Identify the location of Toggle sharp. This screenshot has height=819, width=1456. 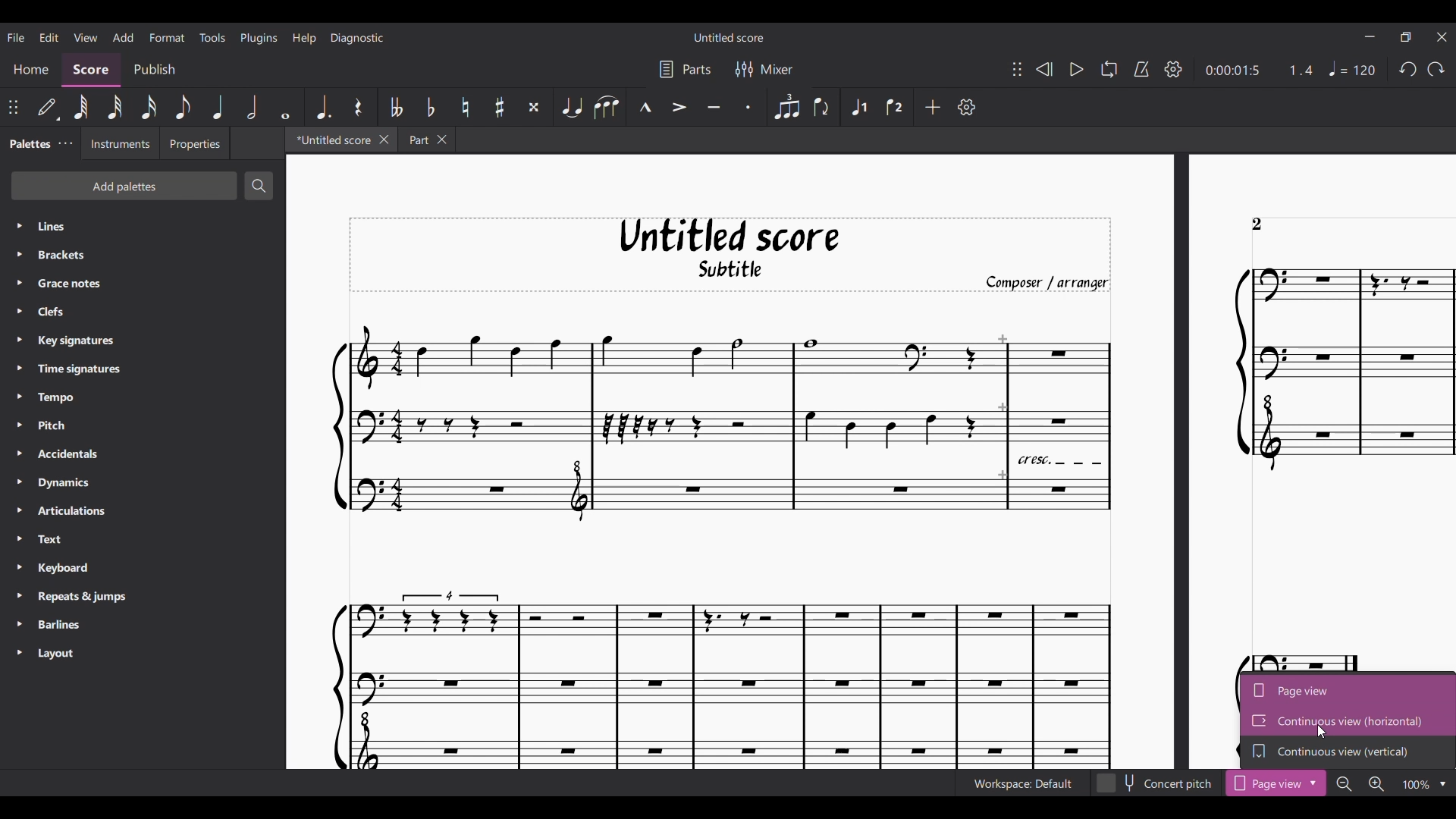
(500, 107).